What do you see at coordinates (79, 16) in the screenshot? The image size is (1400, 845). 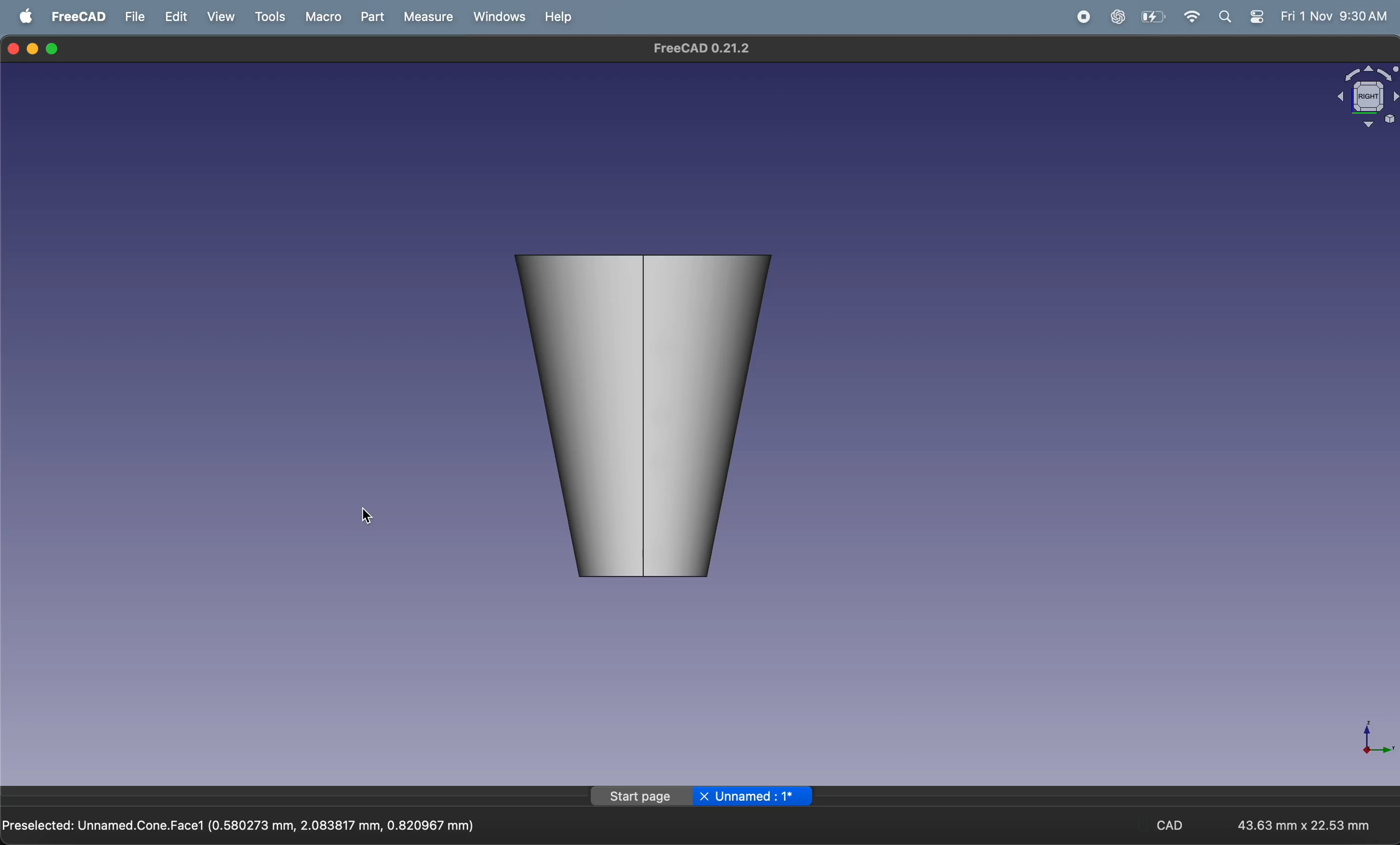 I see `FreeCAD` at bounding box center [79, 16].